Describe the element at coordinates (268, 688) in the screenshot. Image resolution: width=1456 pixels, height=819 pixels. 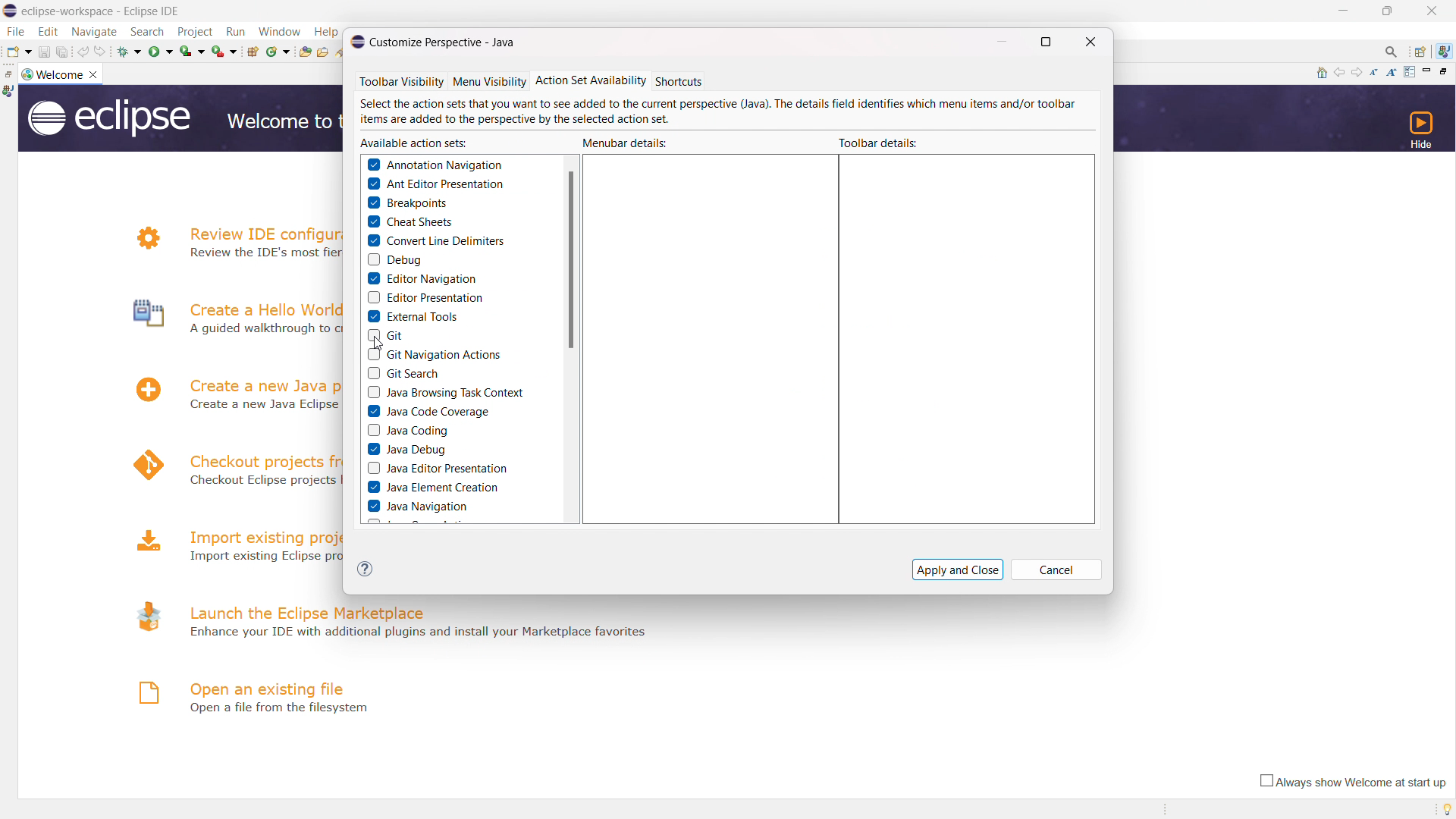
I see `open an existing file` at that location.